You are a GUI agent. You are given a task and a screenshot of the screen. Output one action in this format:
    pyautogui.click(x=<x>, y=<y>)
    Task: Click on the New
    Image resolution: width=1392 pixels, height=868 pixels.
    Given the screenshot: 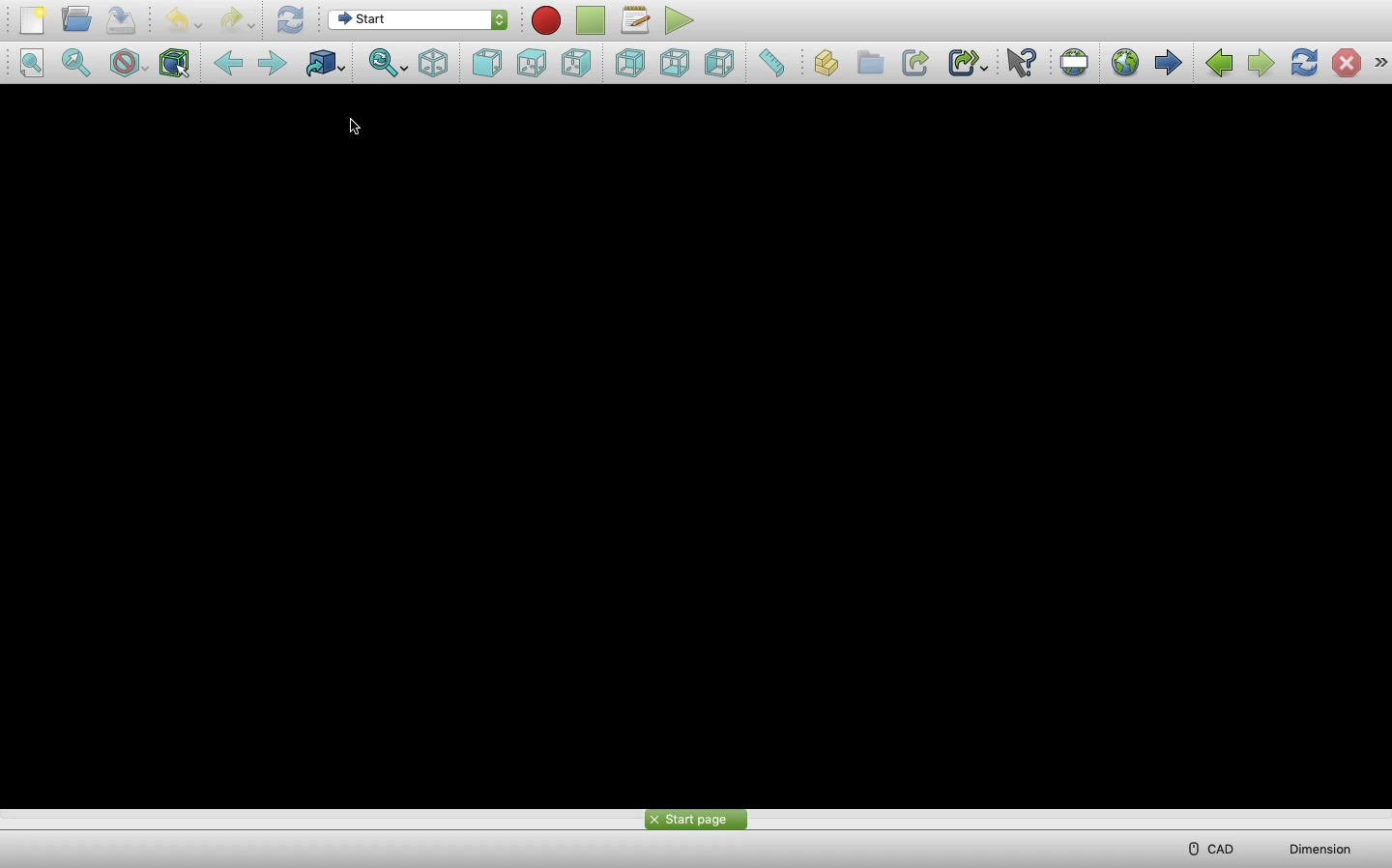 What is the action you would take?
    pyautogui.click(x=33, y=20)
    